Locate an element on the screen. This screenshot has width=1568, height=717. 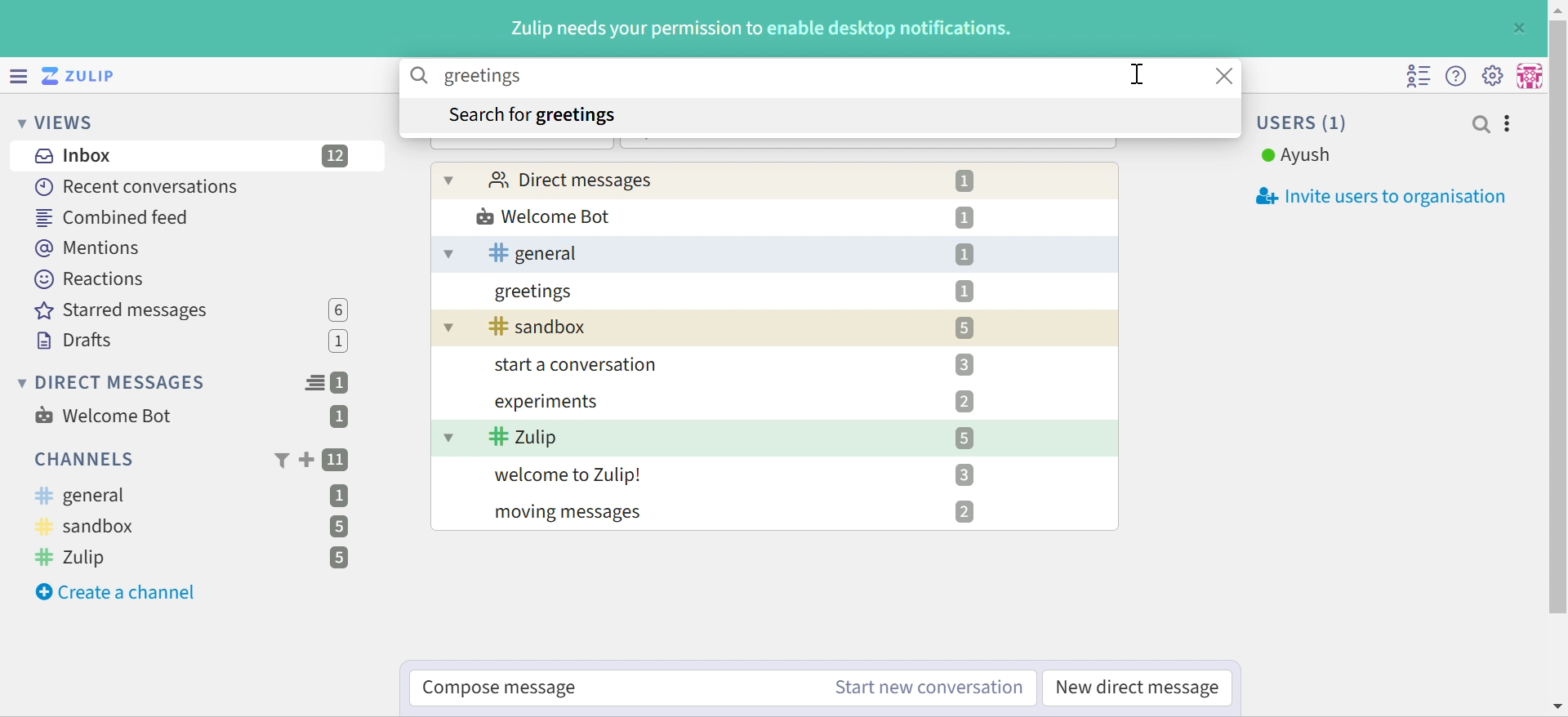
Drop down is located at coordinates (451, 180).